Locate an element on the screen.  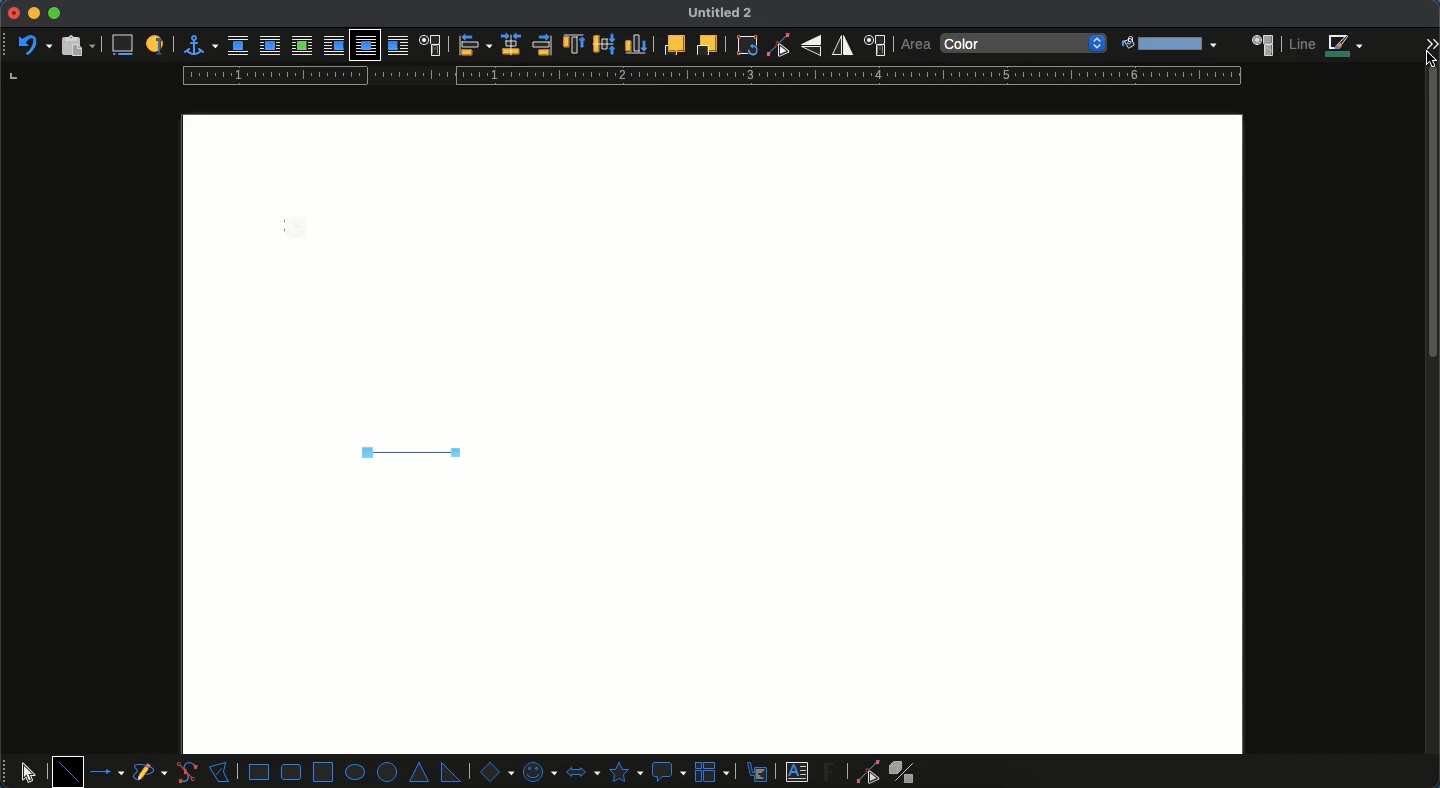
center is located at coordinates (511, 44).